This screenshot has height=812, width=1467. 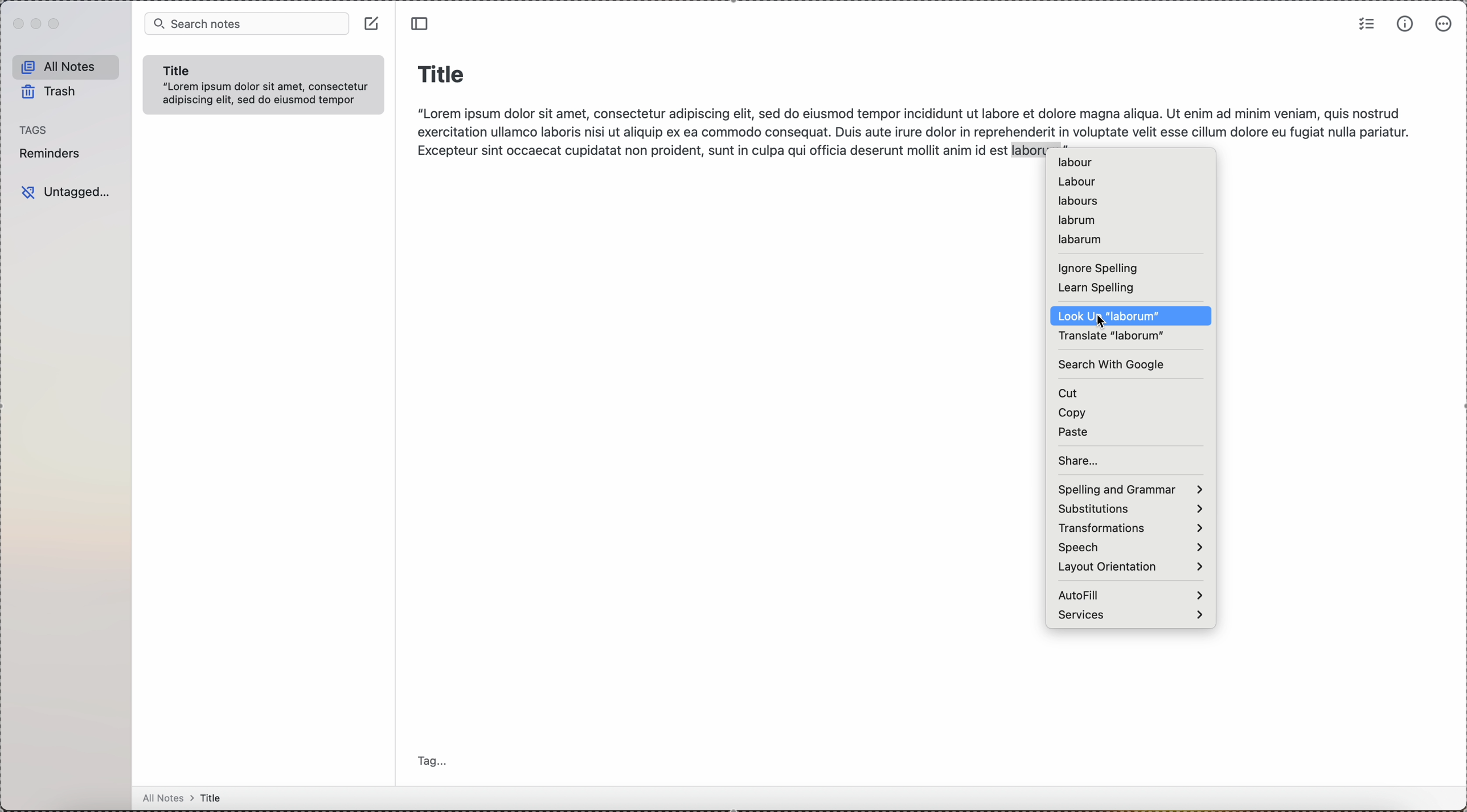 What do you see at coordinates (1101, 322) in the screenshot?
I see `cursor` at bounding box center [1101, 322].